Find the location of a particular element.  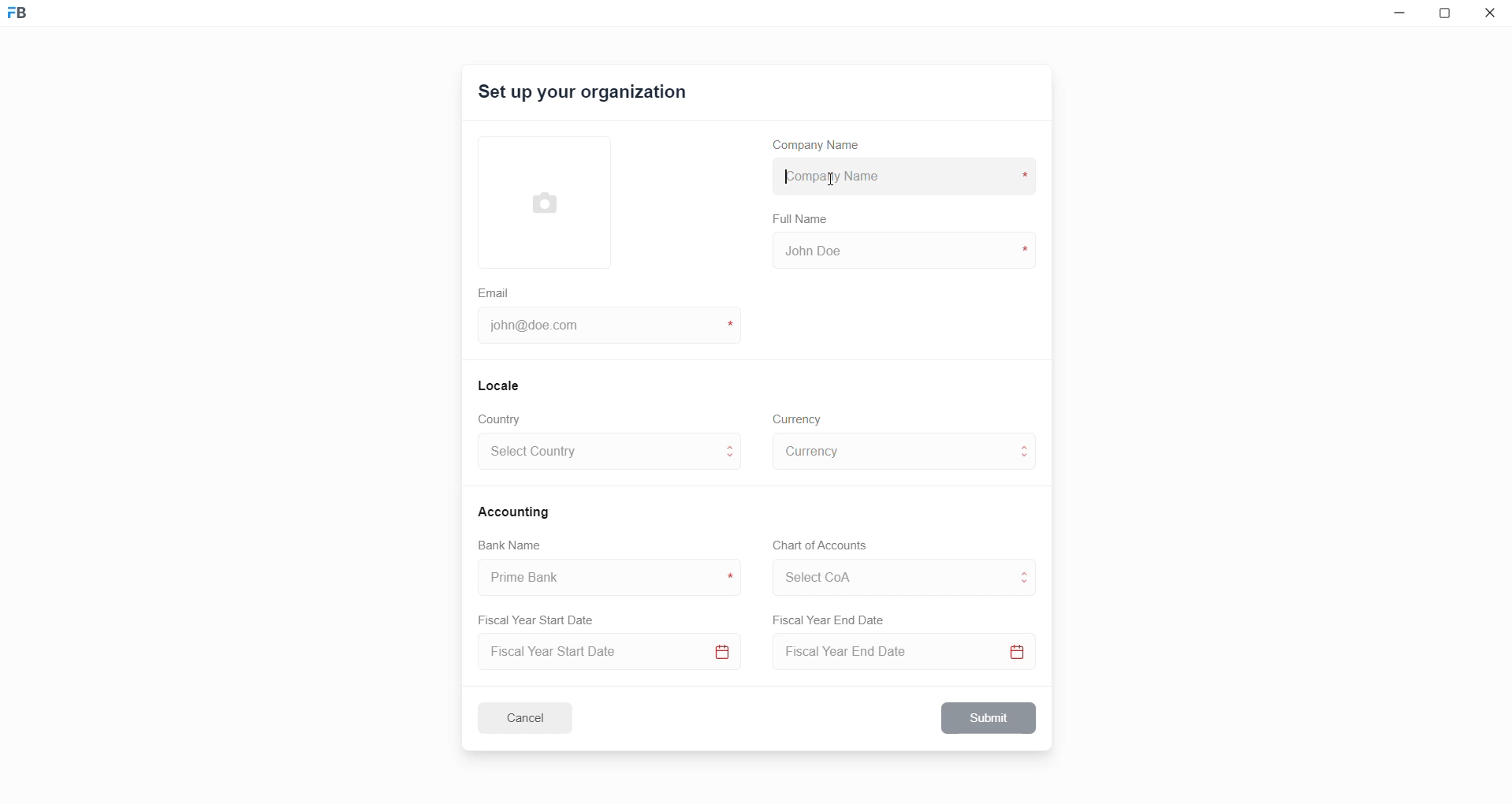

Accounting is located at coordinates (516, 511).